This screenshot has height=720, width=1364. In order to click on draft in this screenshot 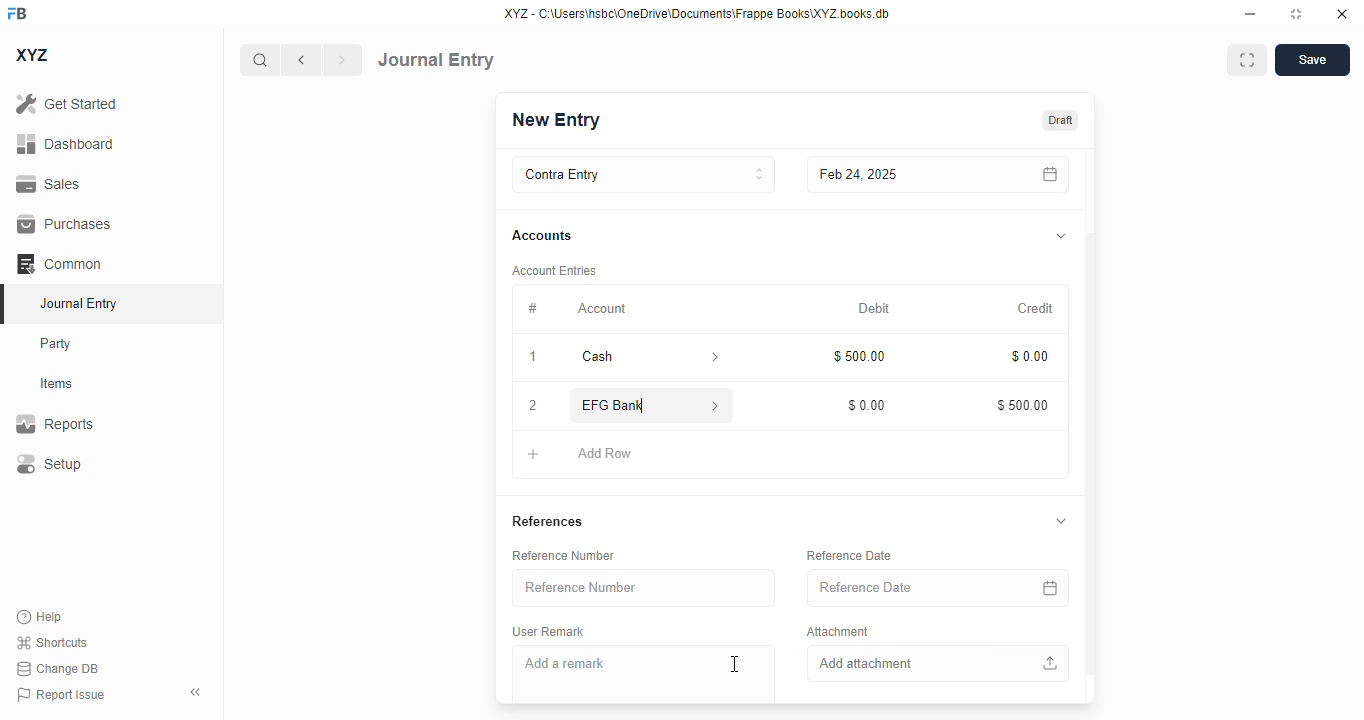, I will do `click(1061, 119)`.